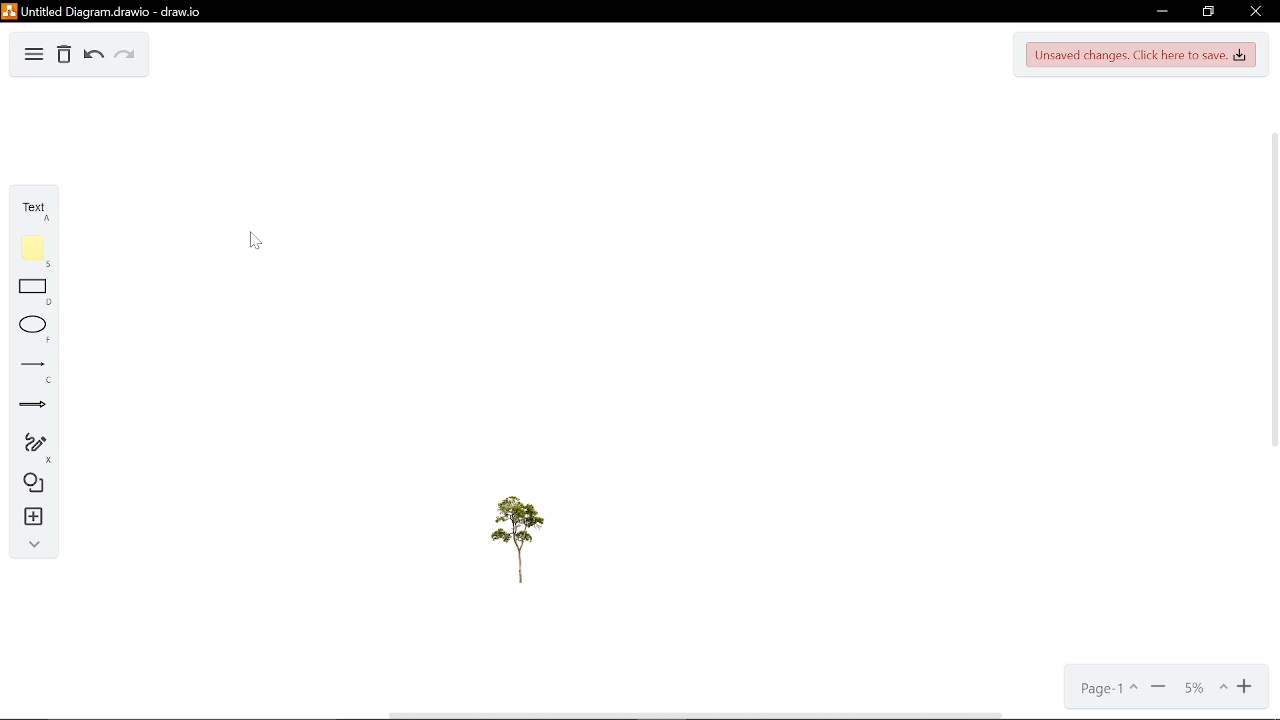  What do you see at coordinates (1142, 55) in the screenshot?
I see `Unsaved changes` at bounding box center [1142, 55].